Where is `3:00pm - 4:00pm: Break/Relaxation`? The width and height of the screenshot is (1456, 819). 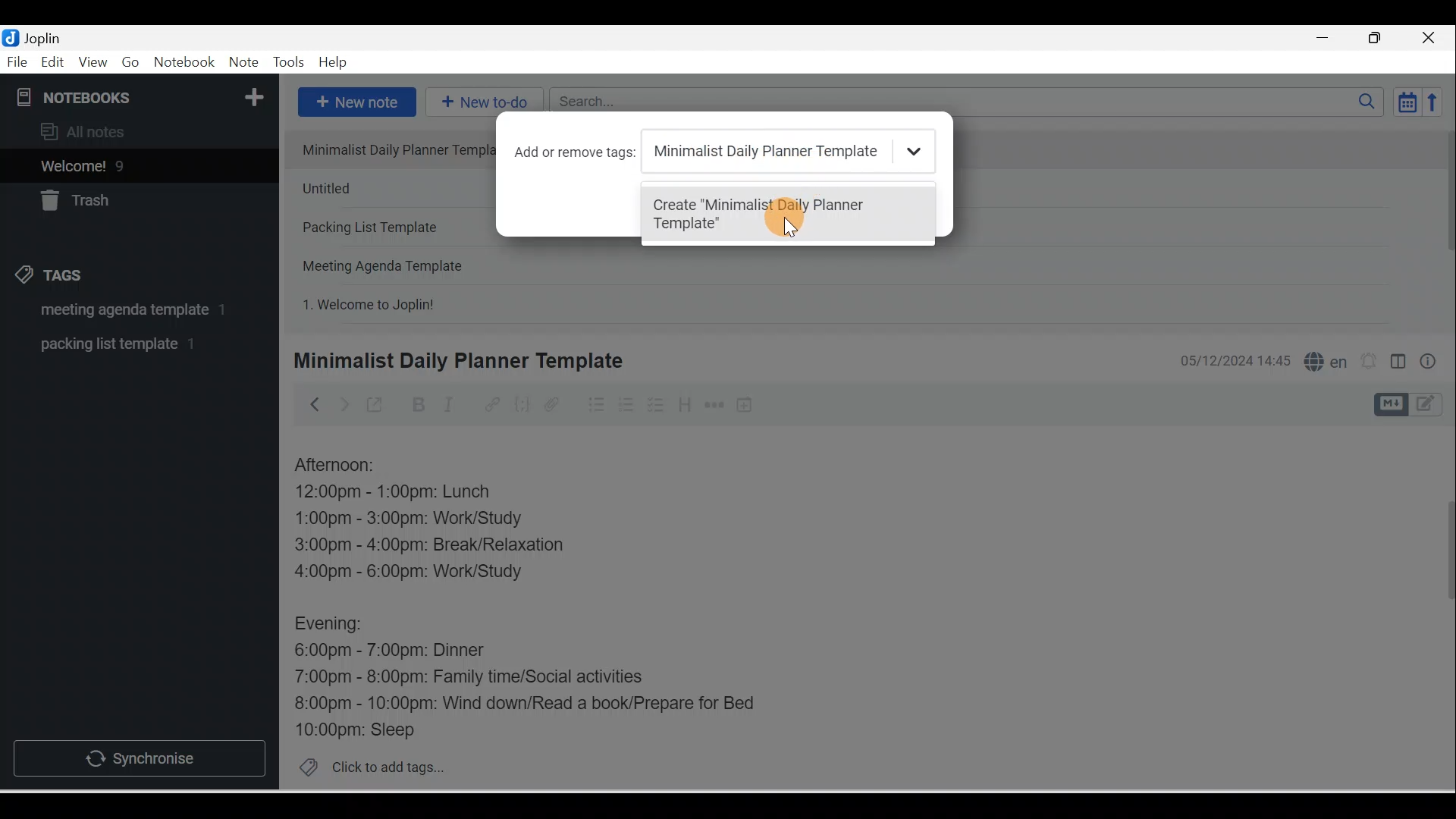
3:00pm - 4:00pm: Break/Relaxation is located at coordinates (462, 547).